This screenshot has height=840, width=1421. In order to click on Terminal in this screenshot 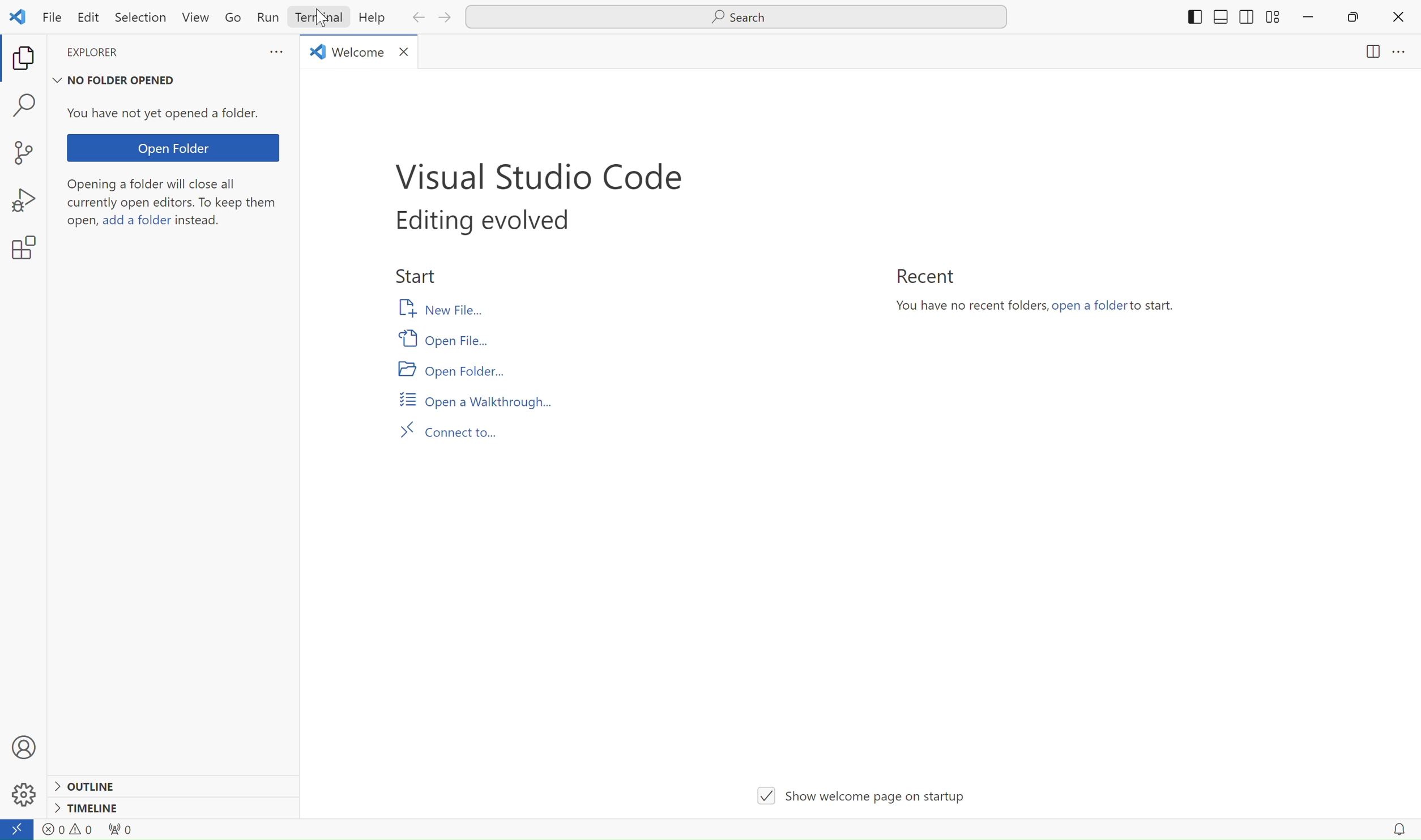, I will do `click(317, 18)`.